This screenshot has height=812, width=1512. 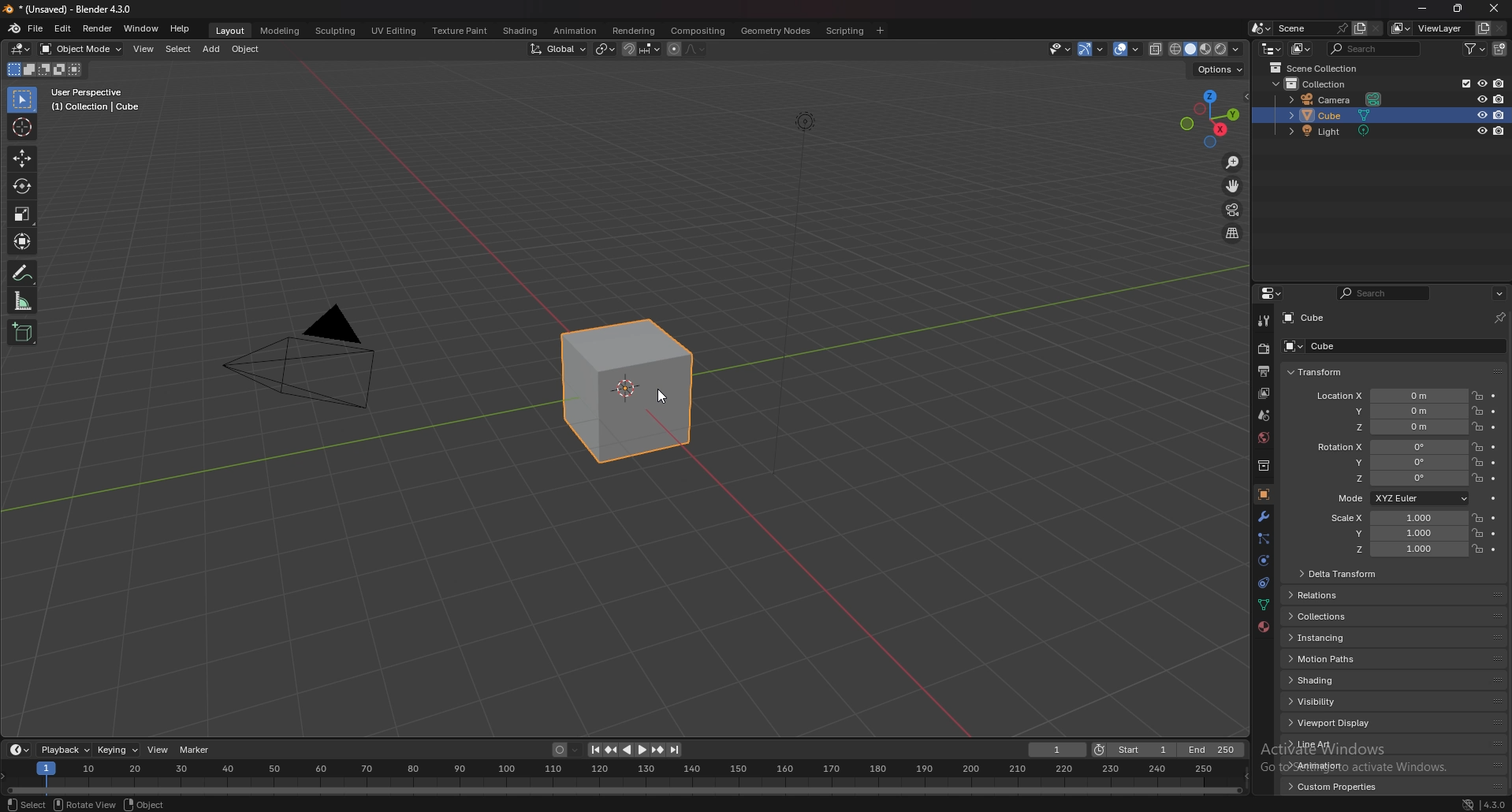 What do you see at coordinates (628, 394) in the screenshot?
I see `selected box` at bounding box center [628, 394].